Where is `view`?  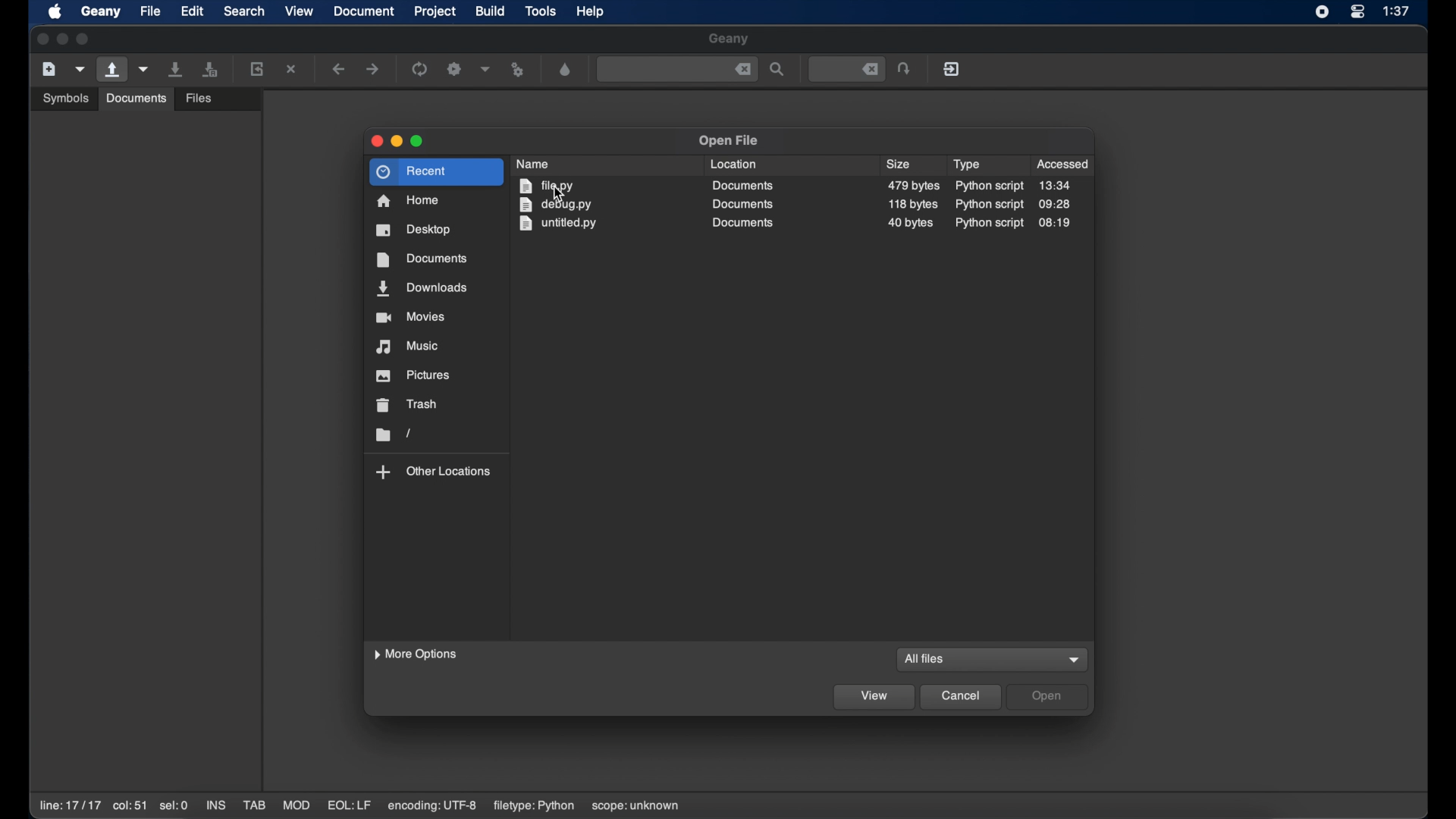 view is located at coordinates (300, 10).